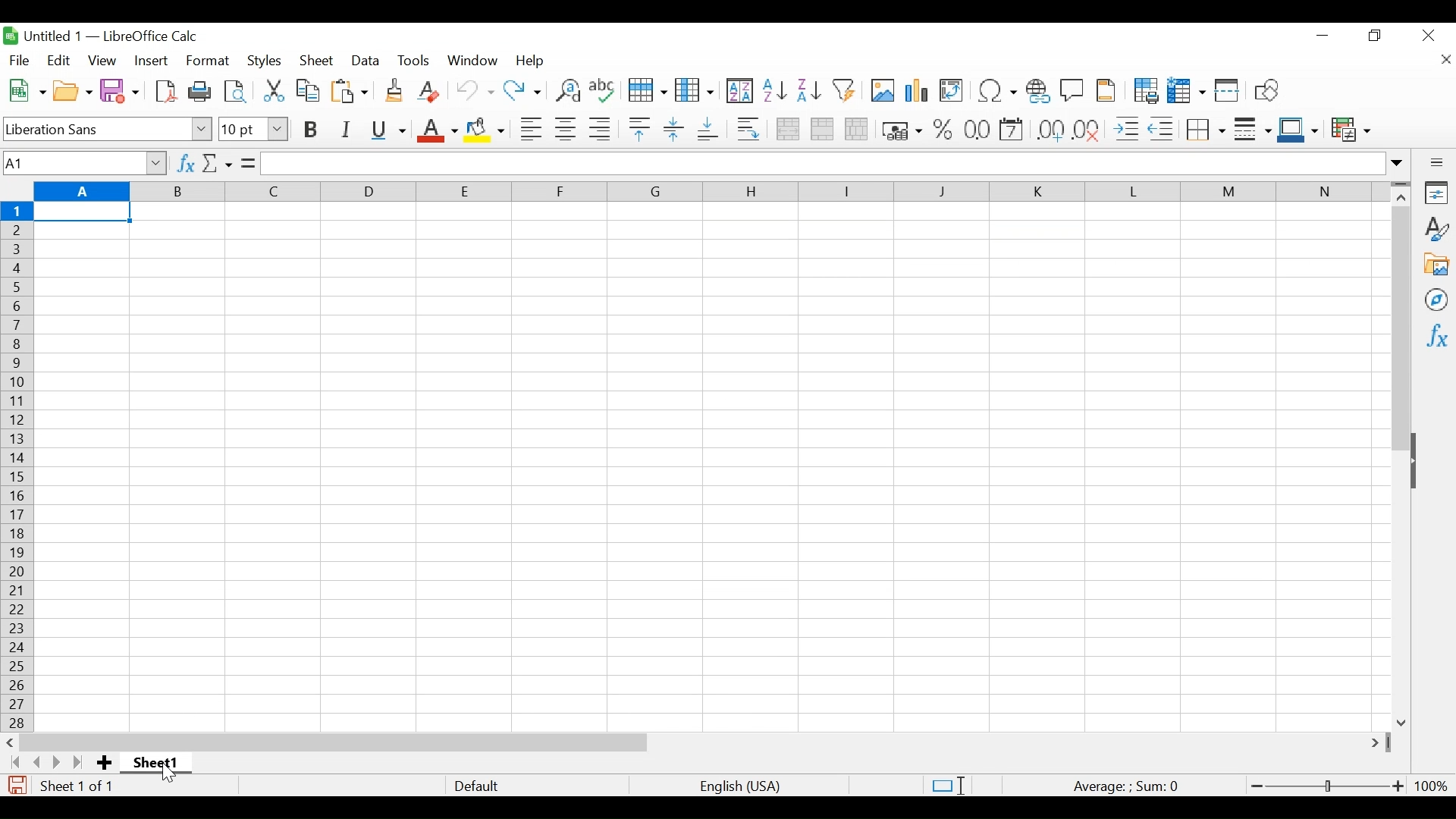 The height and width of the screenshot is (819, 1456). I want to click on format as Date, so click(1012, 131).